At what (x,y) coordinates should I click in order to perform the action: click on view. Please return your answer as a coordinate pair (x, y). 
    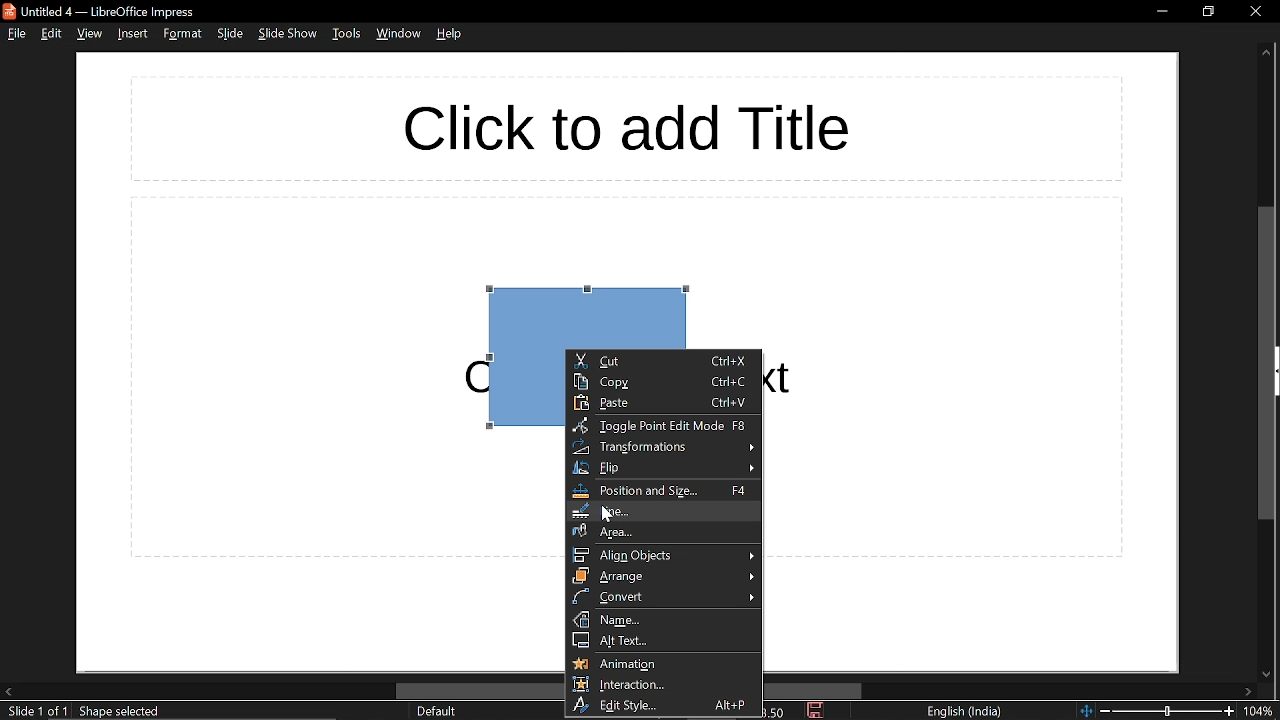
    Looking at the image, I should click on (90, 34).